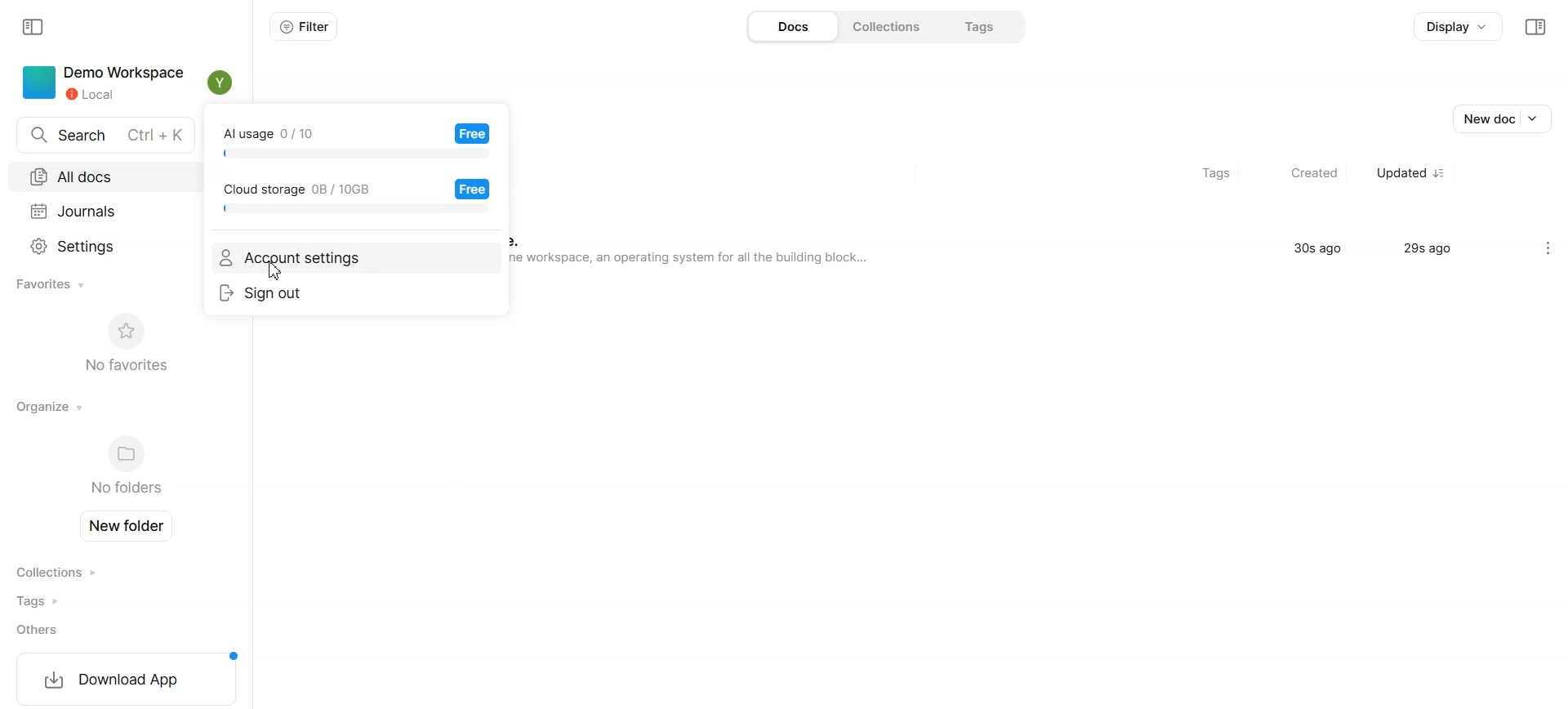  Describe the element at coordinates (131, 526) in the screenshot. I see `New folder` at that location.